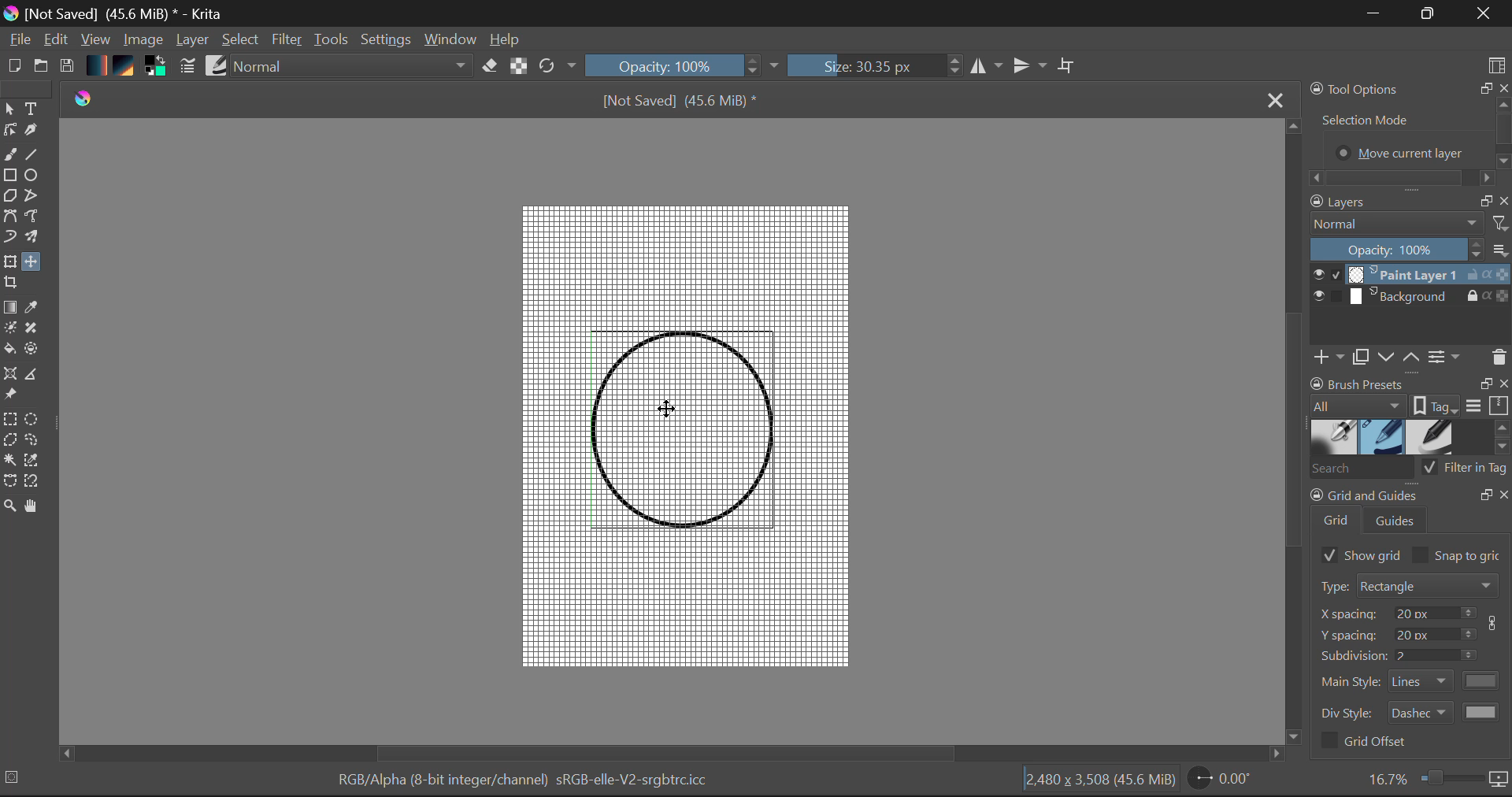 The image size is (1512, 797). What do you see at coordinates (285, 40) in the screenshot?
I see `Filter` at bounding box center [285, 40].